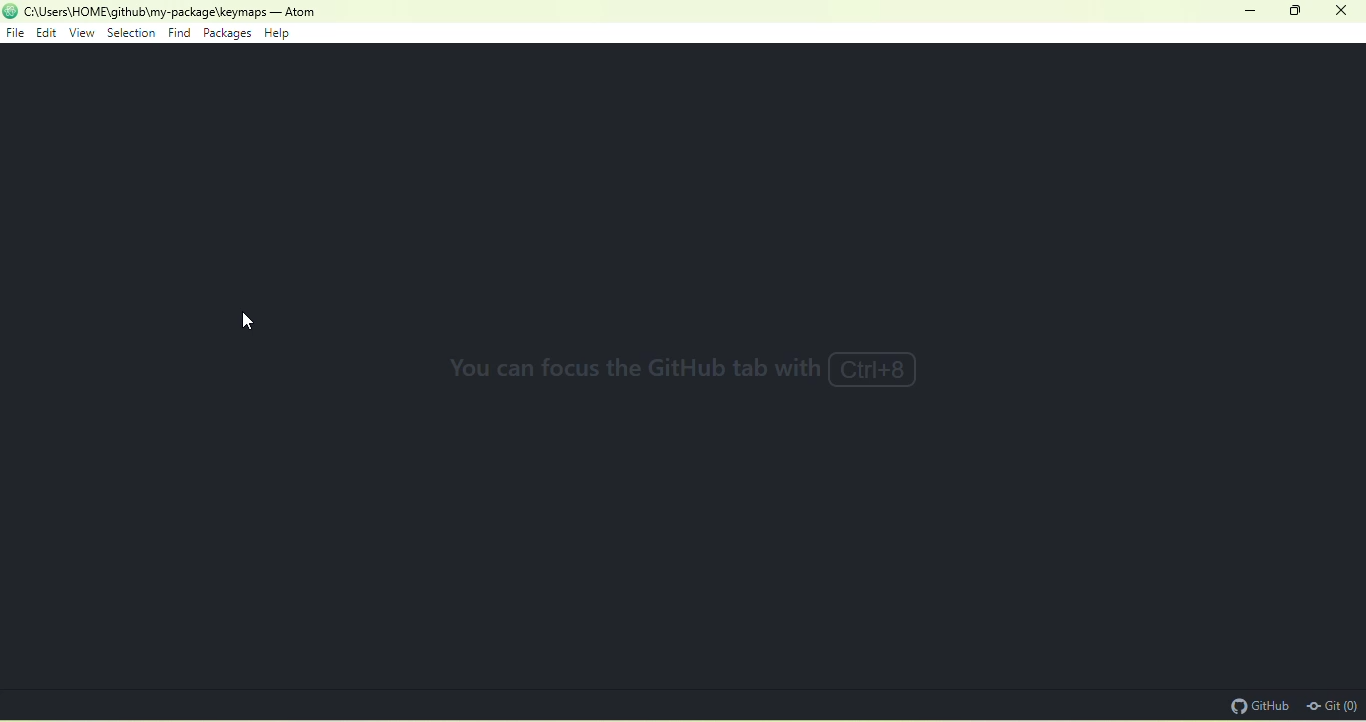 This screenshot has height=722, width=1366. Describe the element at coordinates (280, 35) in the screenshot. I see `help` at that location.